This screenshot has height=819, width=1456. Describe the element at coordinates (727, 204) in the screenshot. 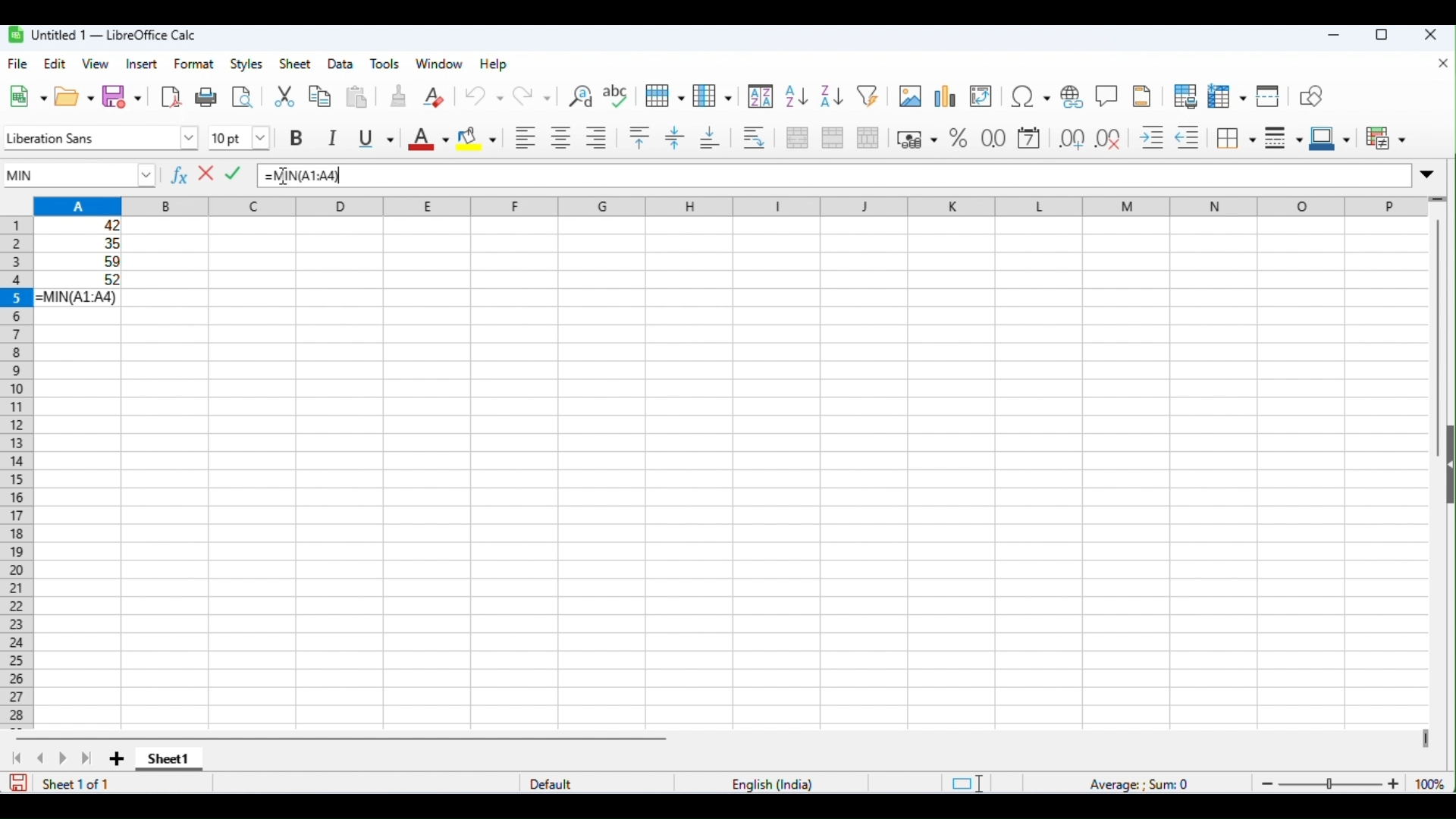

I see `column headings` at that location.